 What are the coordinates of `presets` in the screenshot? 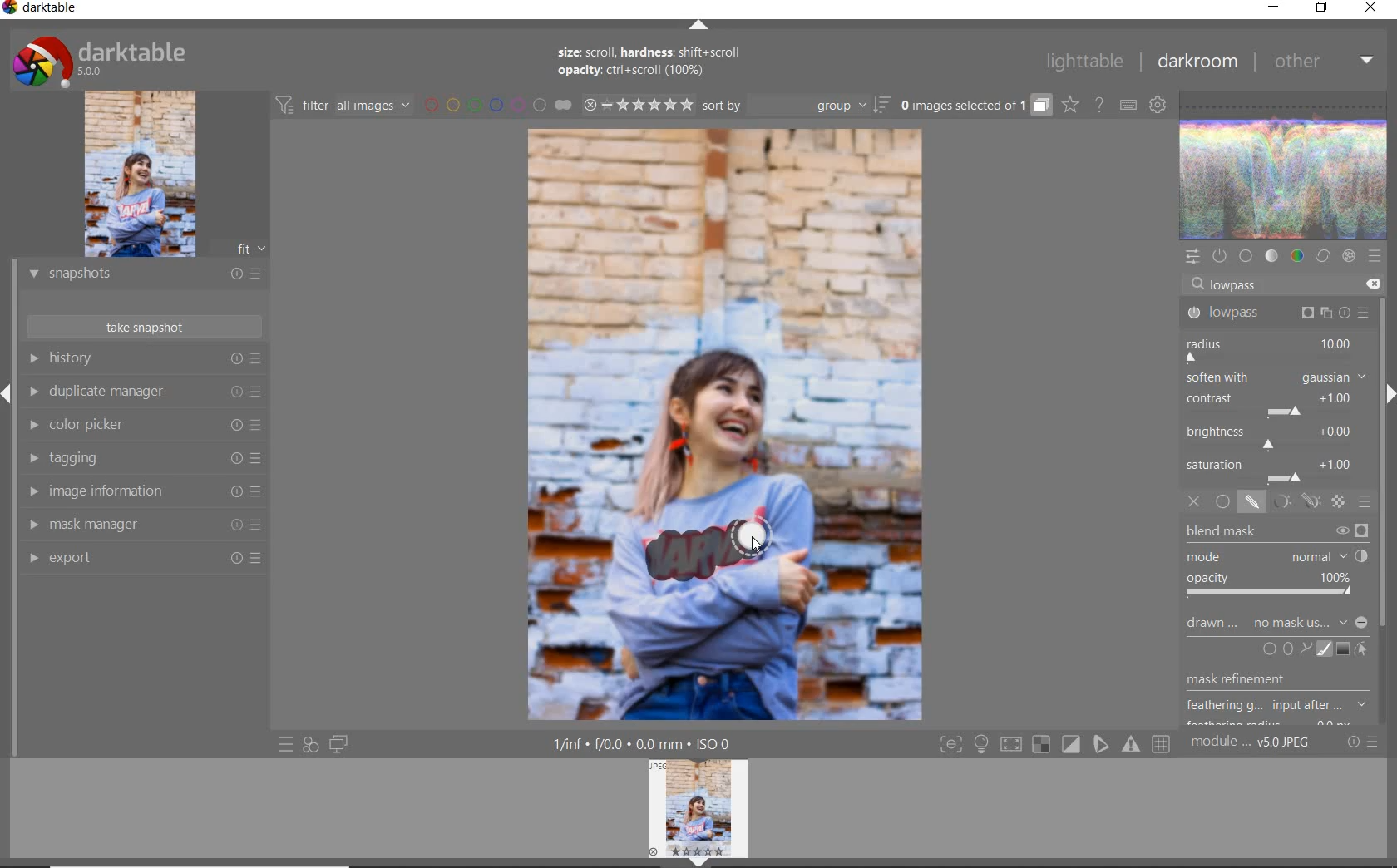 It's located at (1375, 256).